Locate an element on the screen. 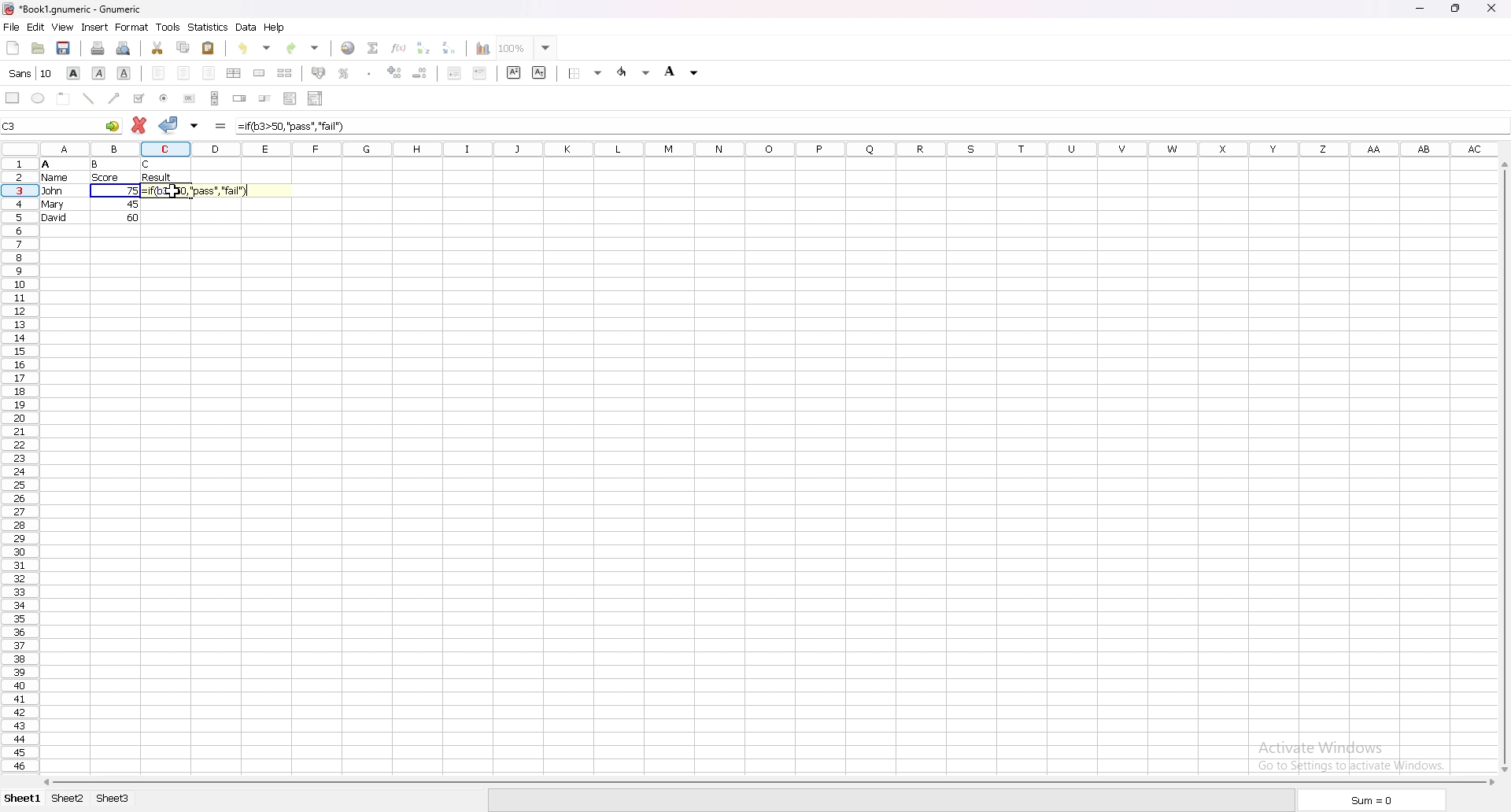 This screenshot has height=812, width=1511. percentage is located at coordinates (345, 74).